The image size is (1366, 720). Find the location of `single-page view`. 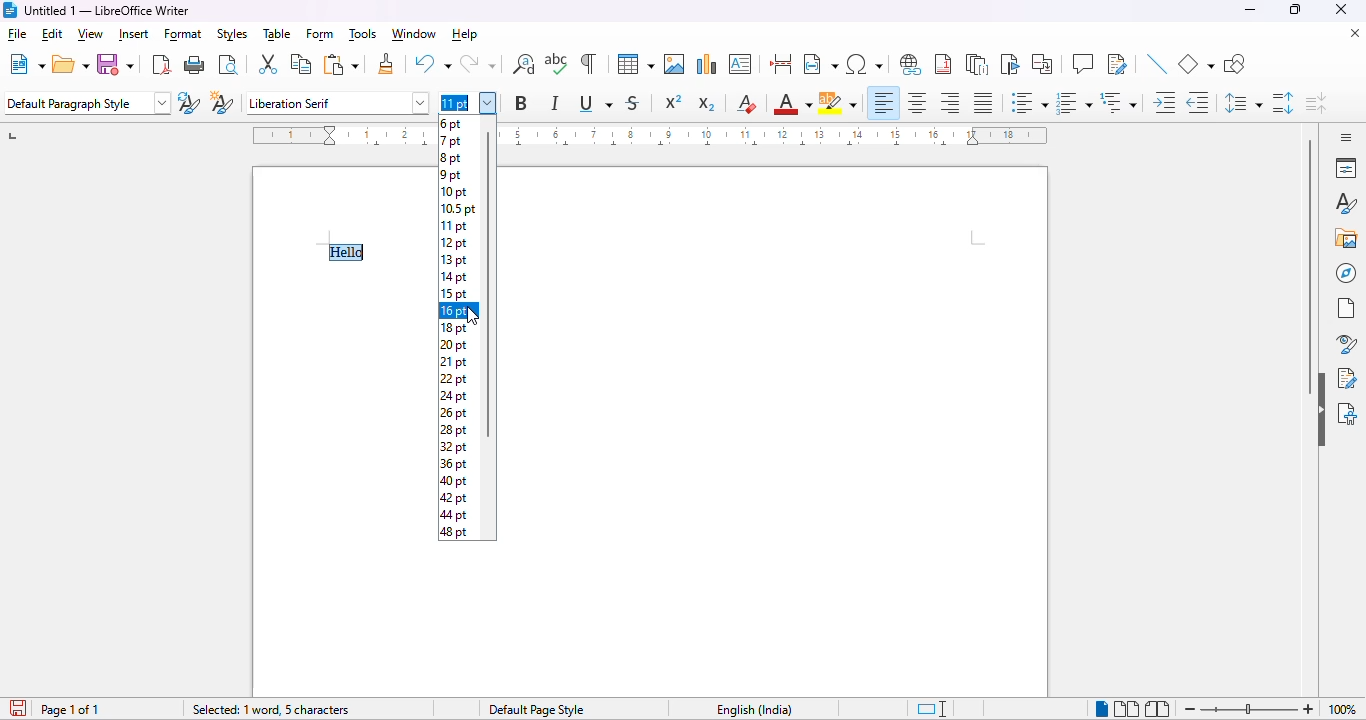

single-page view is located at coordinates (1102, 710).